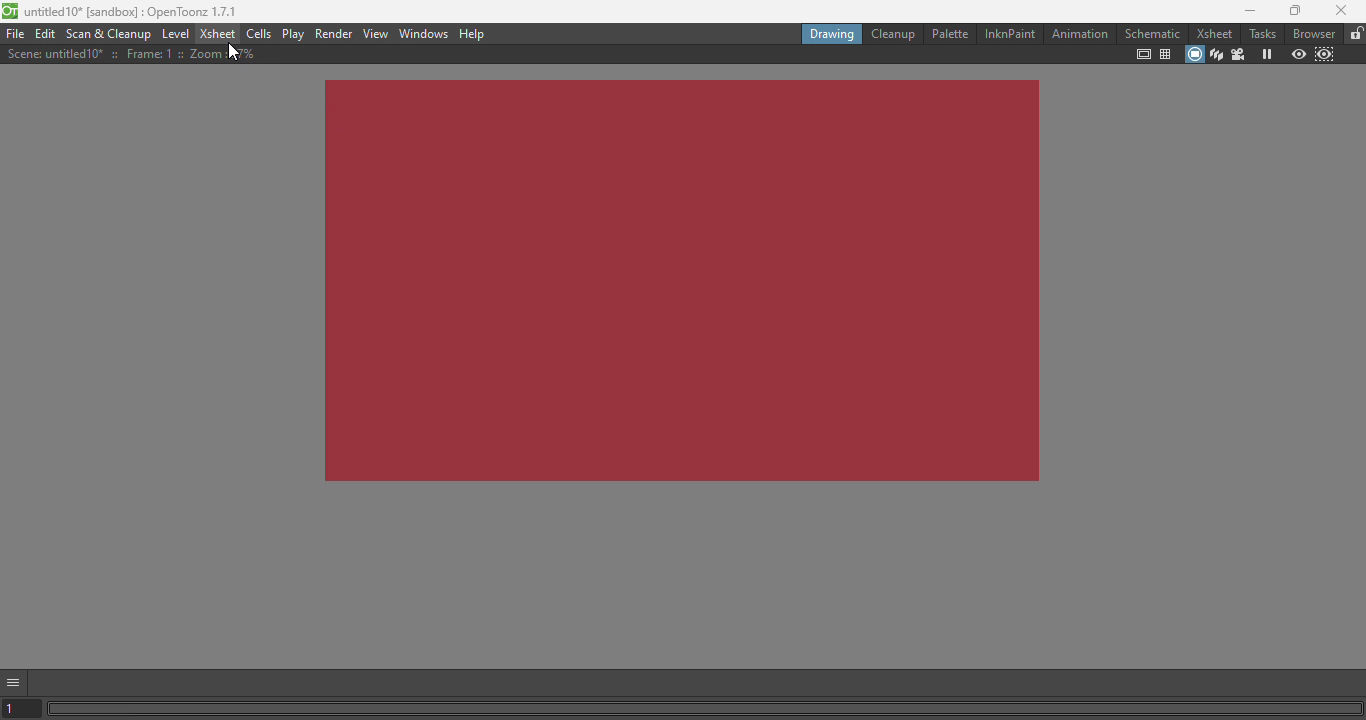 Image resolution: width=1366 pixels, height=720 pixels. What do you see at coordinates (131, 54) in the screenshot?
I see `Scene details` at bounding box center [131, 54].